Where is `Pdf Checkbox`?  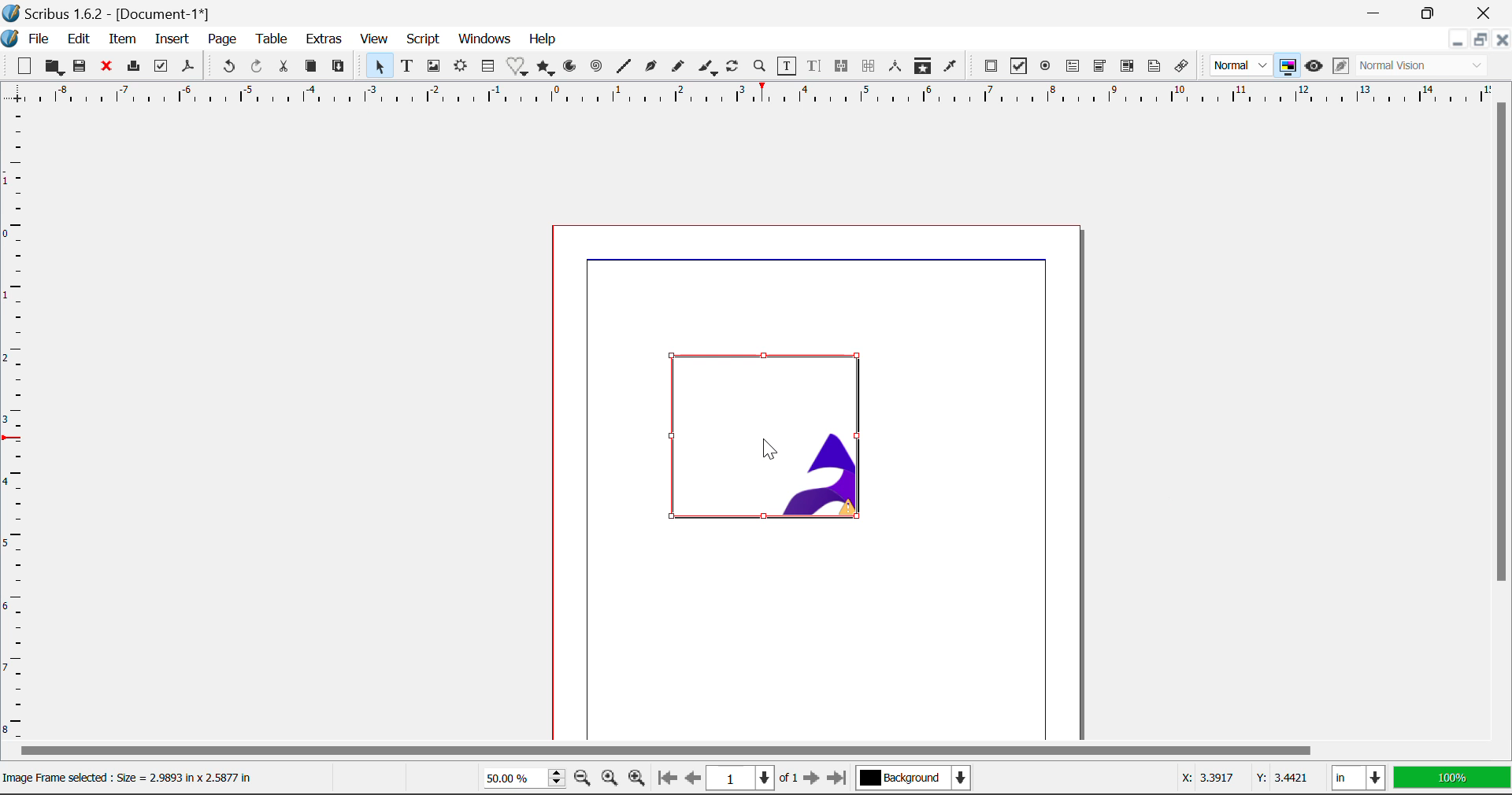 Pdf Checkbox is located at coordinates (1016, 68).